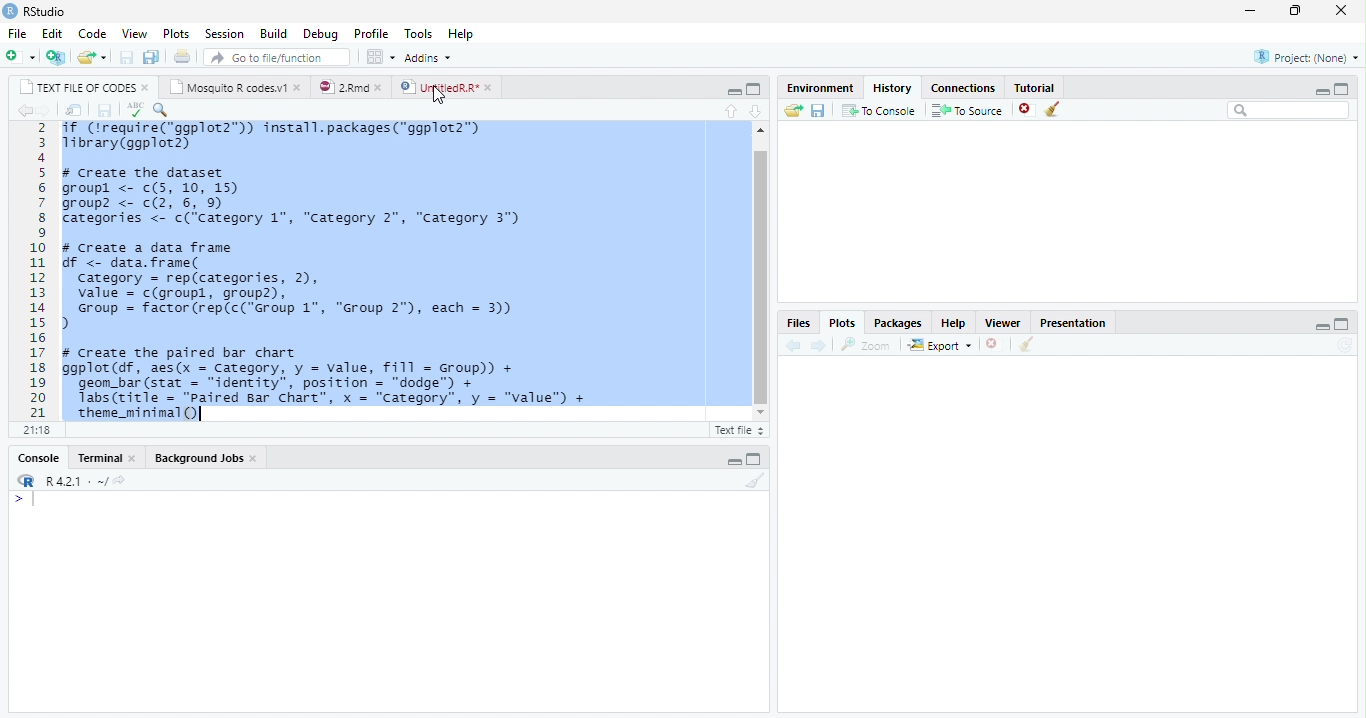  I want to click on go forward, so click(42, 111).